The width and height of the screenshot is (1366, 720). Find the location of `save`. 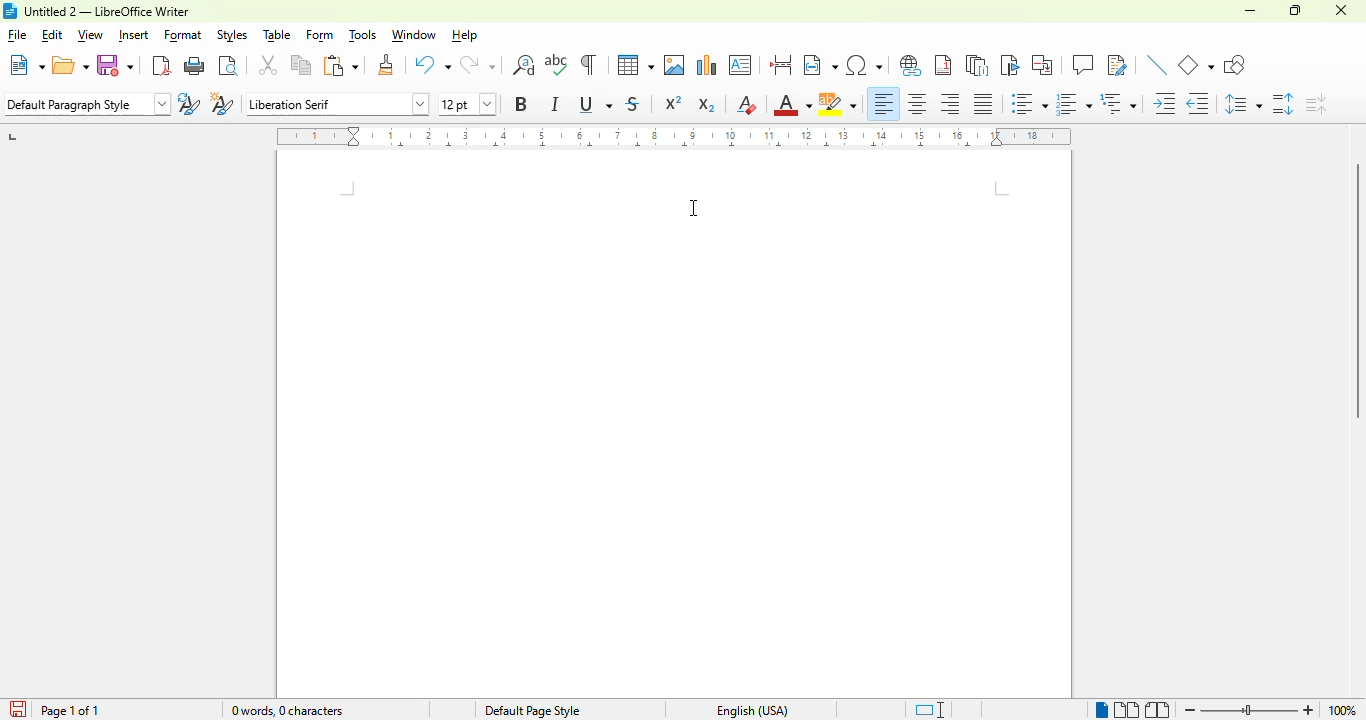

save is located at coordinates (116, 65).